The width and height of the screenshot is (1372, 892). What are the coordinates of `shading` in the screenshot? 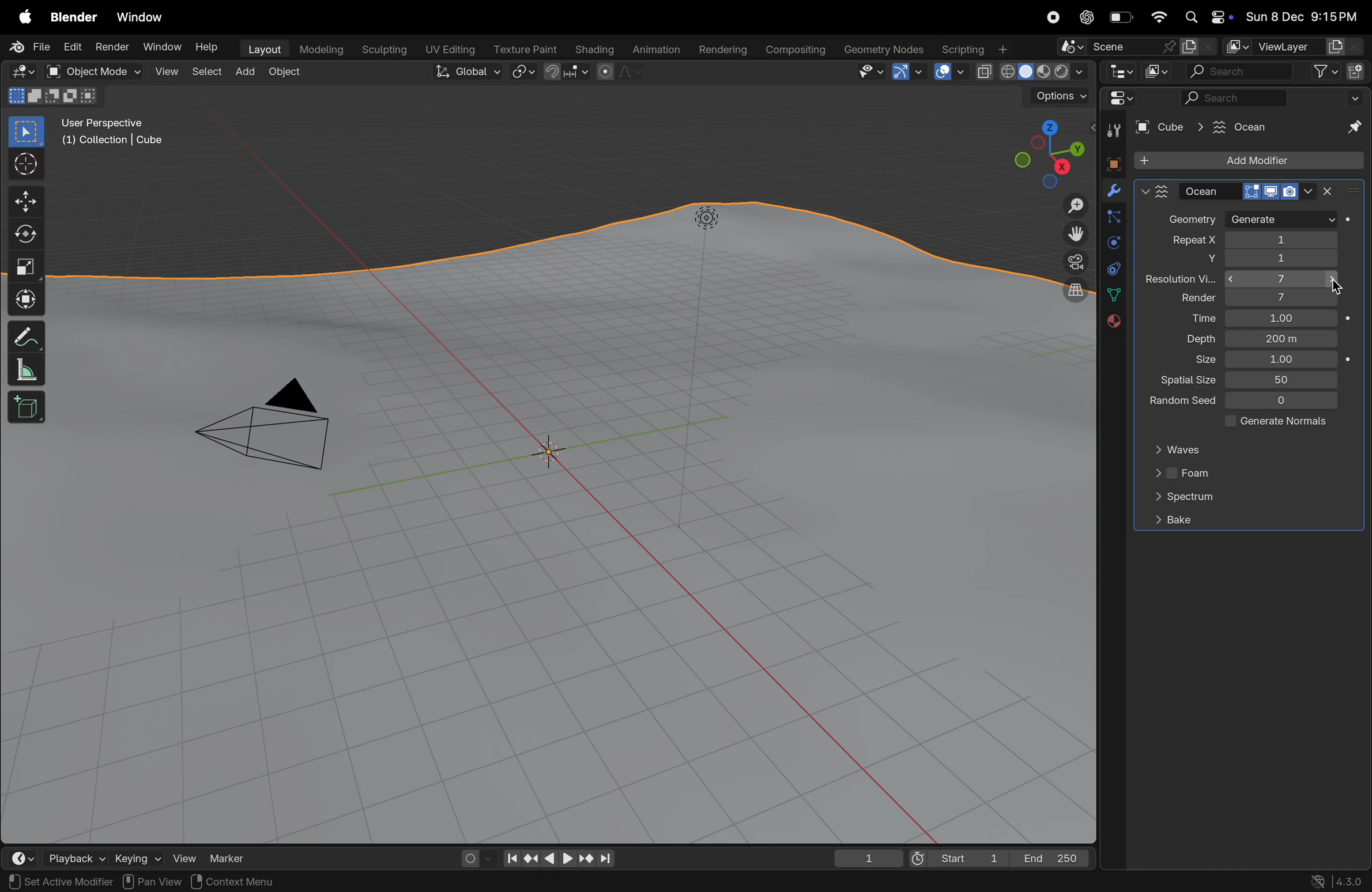 It's located at (591, 47).